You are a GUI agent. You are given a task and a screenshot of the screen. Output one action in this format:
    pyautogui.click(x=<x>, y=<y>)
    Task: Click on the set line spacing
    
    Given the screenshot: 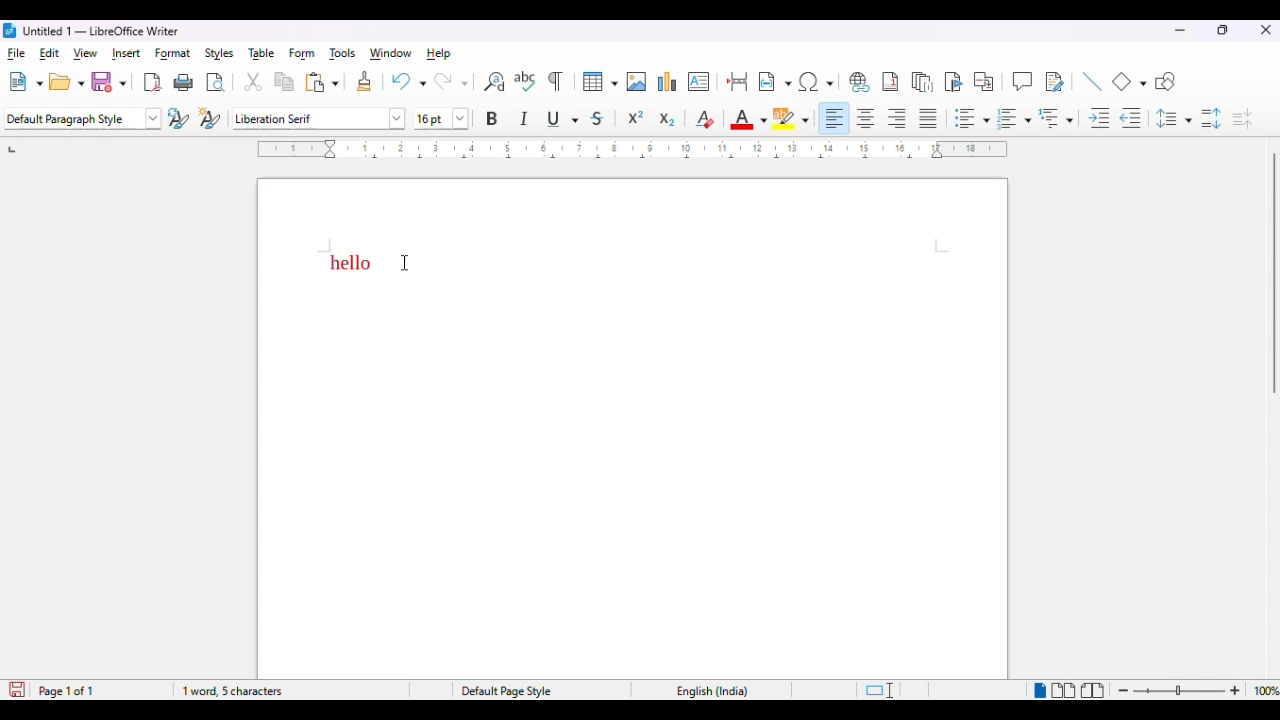 What is the action you would take?
    pyautogui.click(x=1174, y=118)
    